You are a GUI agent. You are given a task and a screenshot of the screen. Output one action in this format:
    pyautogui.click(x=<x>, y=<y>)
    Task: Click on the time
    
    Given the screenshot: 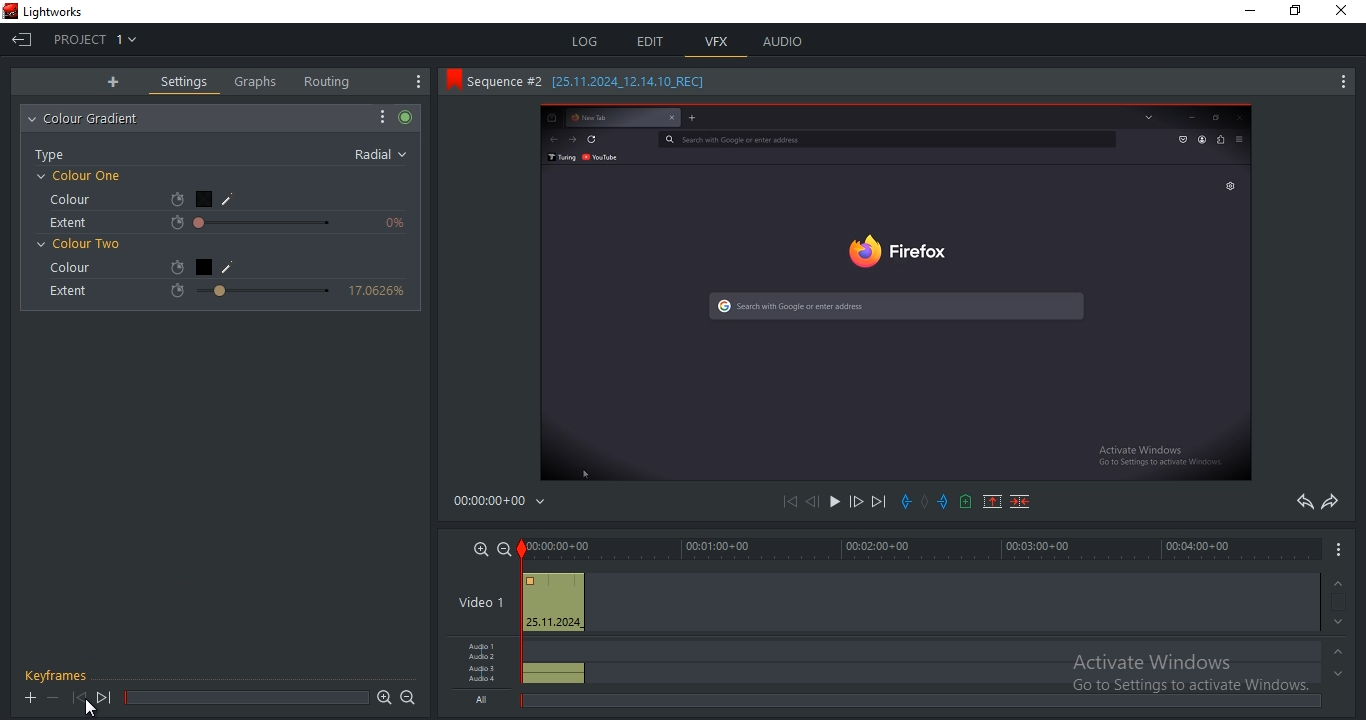 What is the action you would take?
    pyautogui.click(x=507, y=501)
    